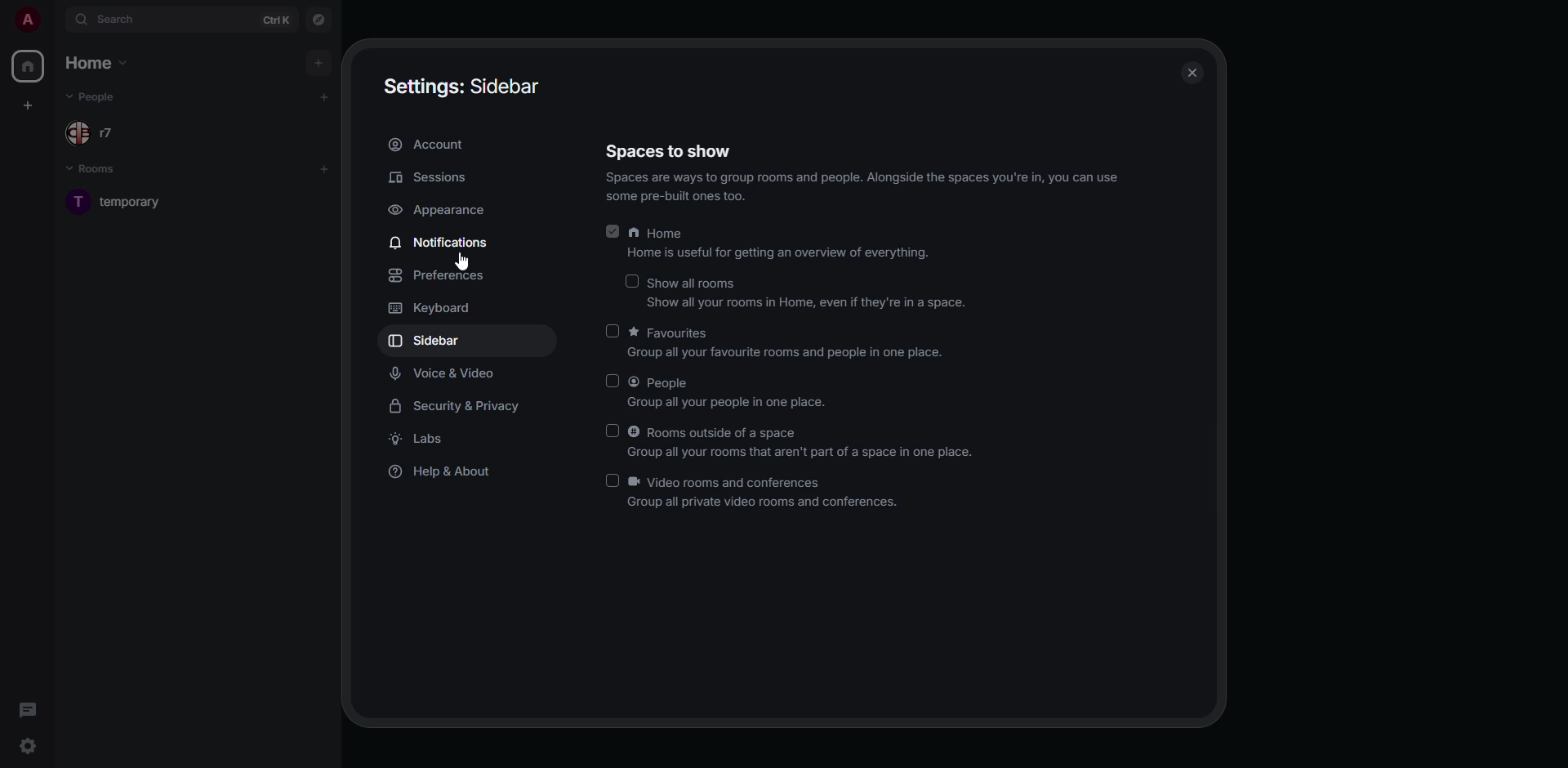 Image resolution: width=1568 pixels, height=768 pixels. What do you see at coordinates (426, 437) in the screenshot?
I see `labs` at bounding box center [426, 437].